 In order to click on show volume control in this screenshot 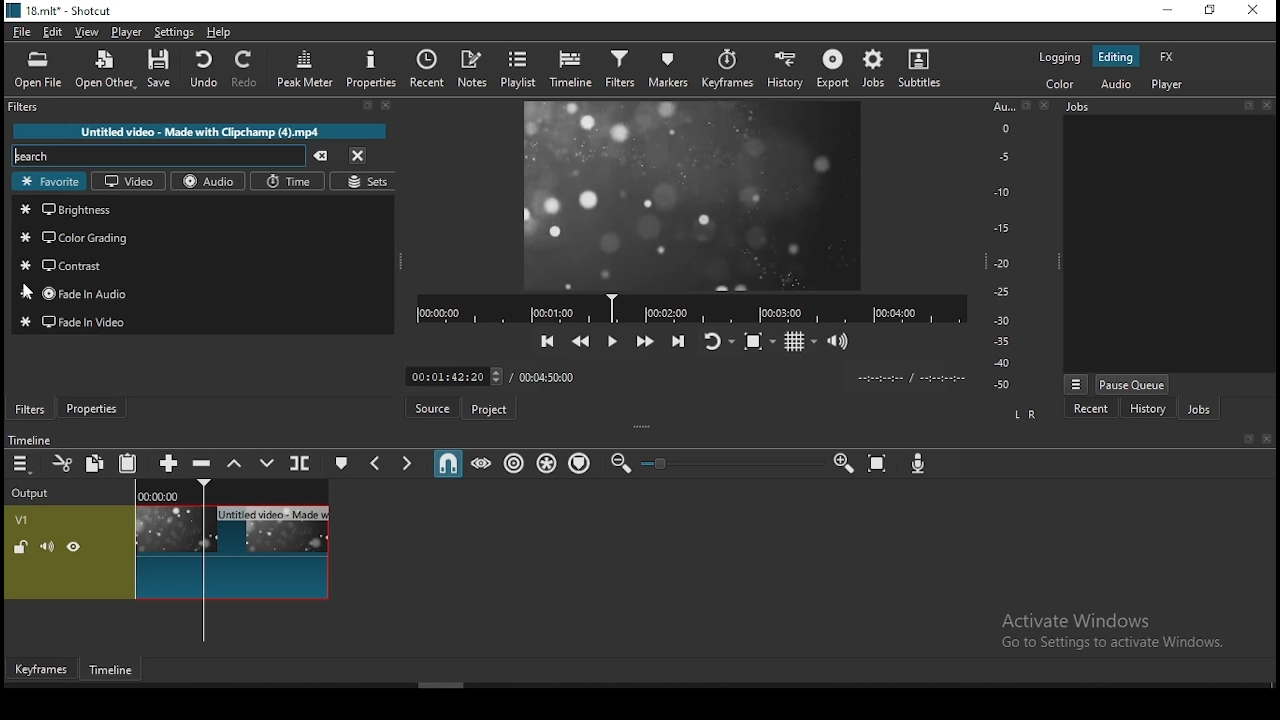, I will do `click(839, 340)`.